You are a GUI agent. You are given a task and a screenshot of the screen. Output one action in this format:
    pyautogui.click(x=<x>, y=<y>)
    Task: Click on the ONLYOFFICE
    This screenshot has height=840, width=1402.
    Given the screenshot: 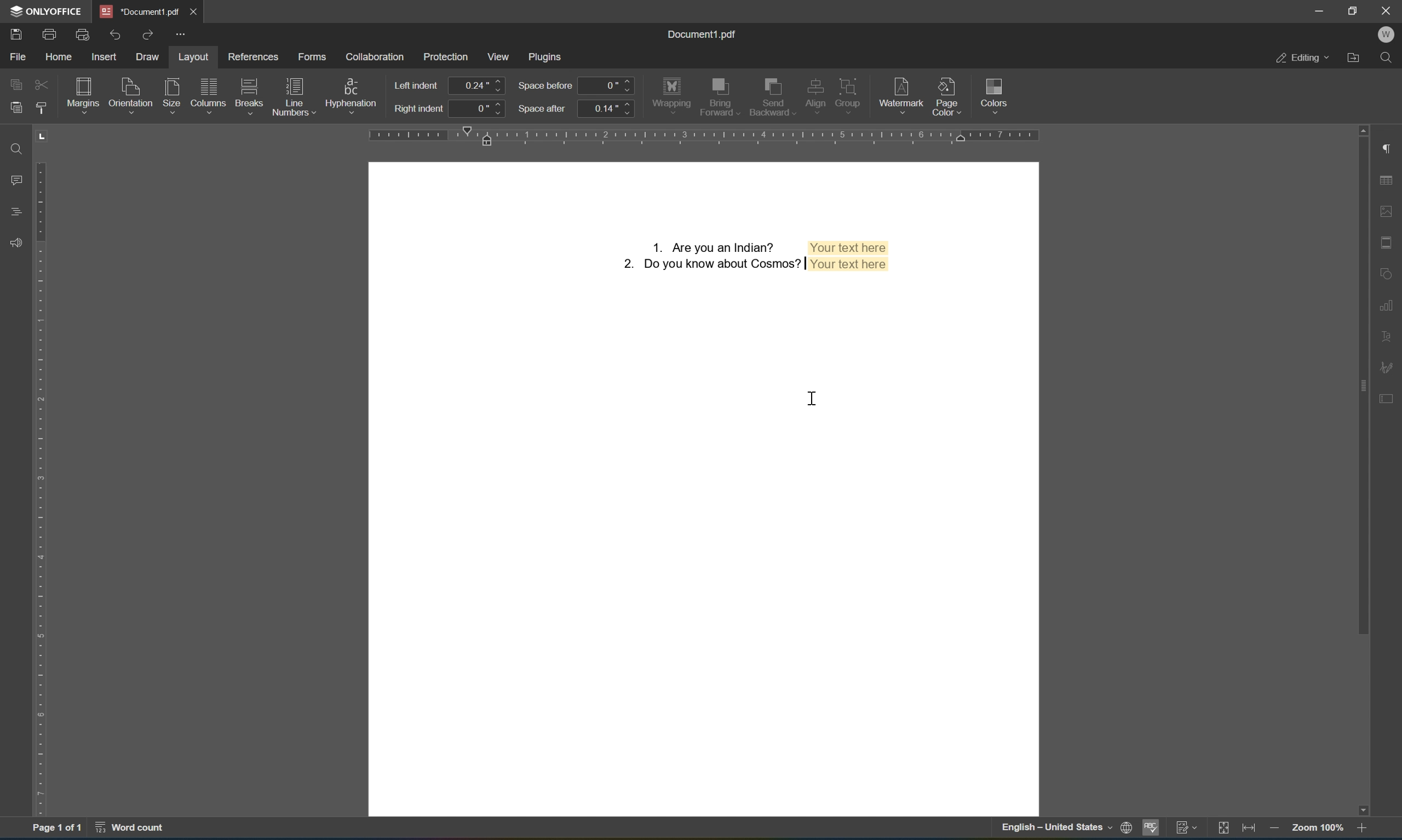 What is the action you would take?
    pyautogui.click(x=46, y=11)
    